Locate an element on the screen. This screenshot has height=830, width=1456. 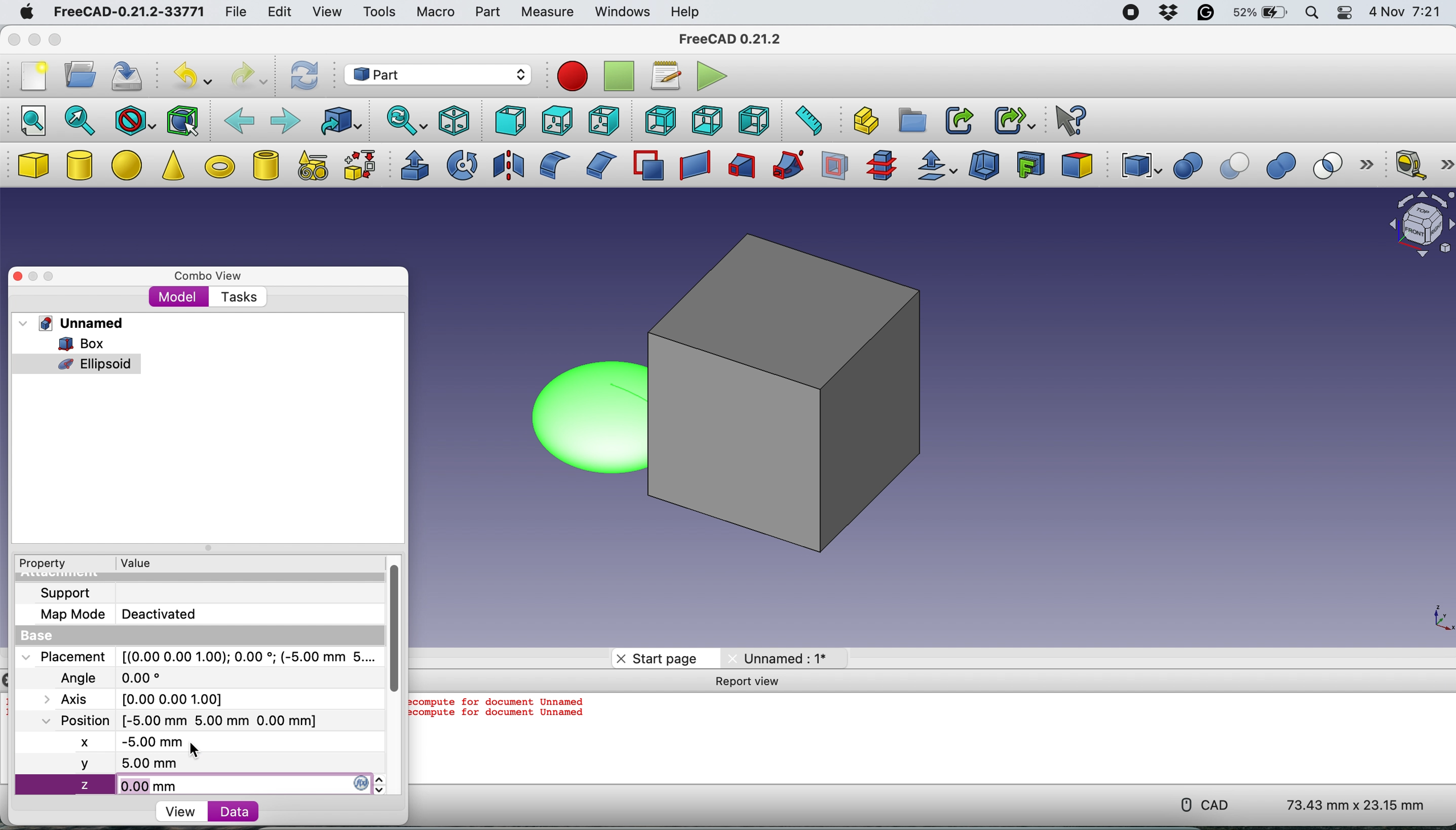
part is located at coordinates (487, 14).